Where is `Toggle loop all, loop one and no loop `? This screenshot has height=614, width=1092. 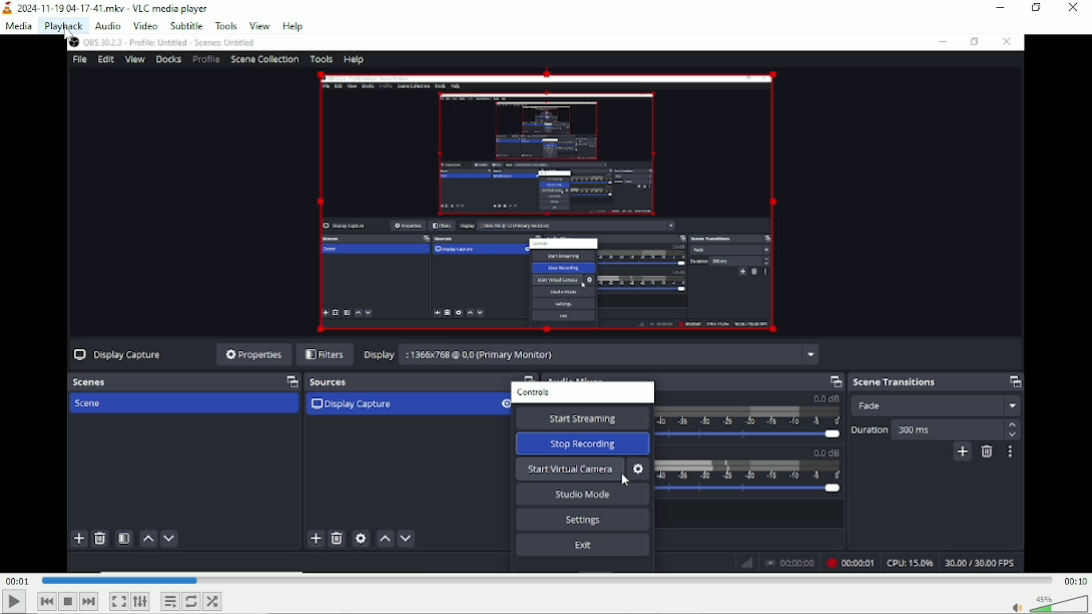
Toggle loop all, loop one and no loop  is located at coordinates (192, 601).